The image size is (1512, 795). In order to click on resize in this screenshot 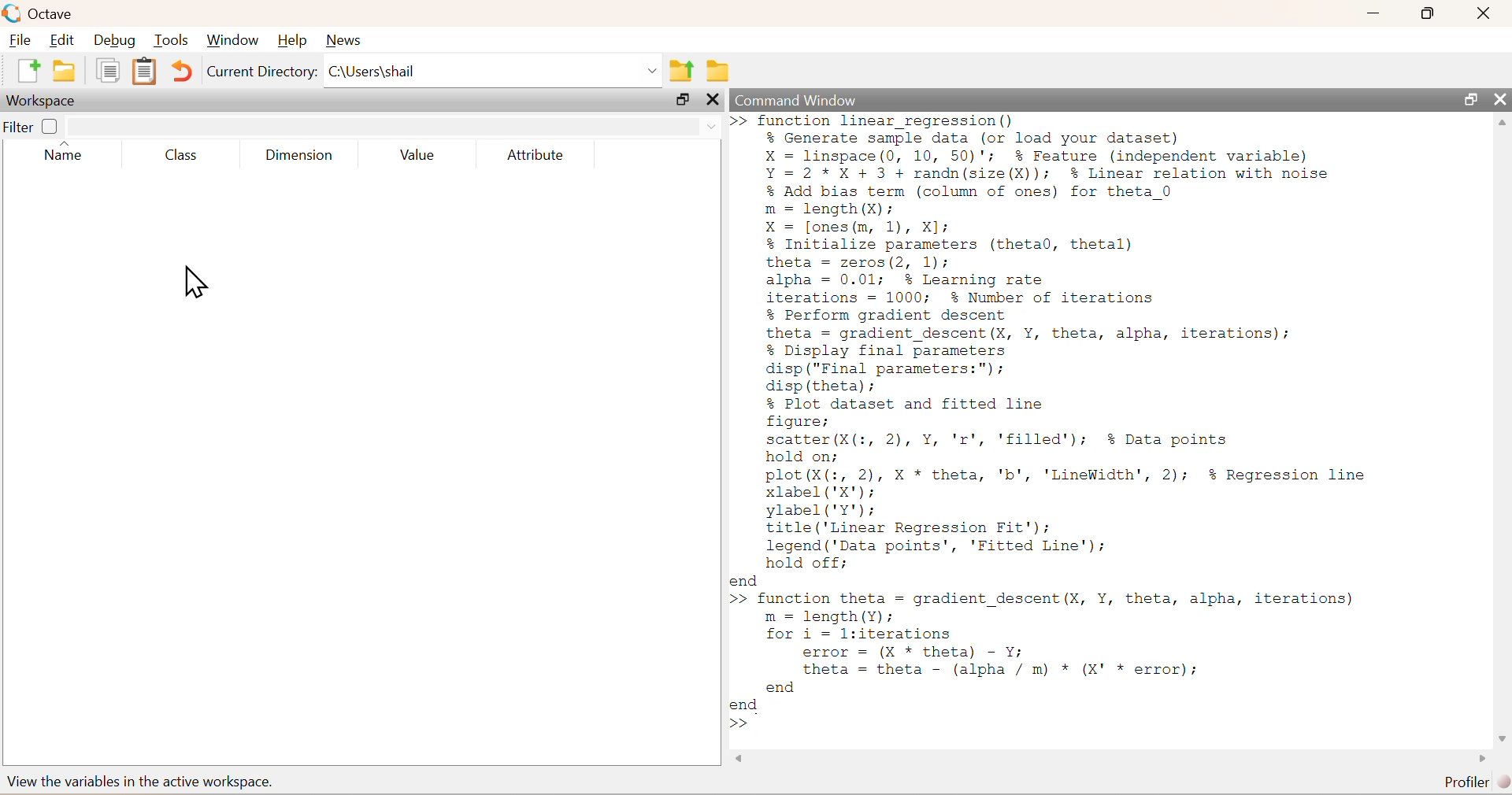, I will do `click(1429, 14)`.